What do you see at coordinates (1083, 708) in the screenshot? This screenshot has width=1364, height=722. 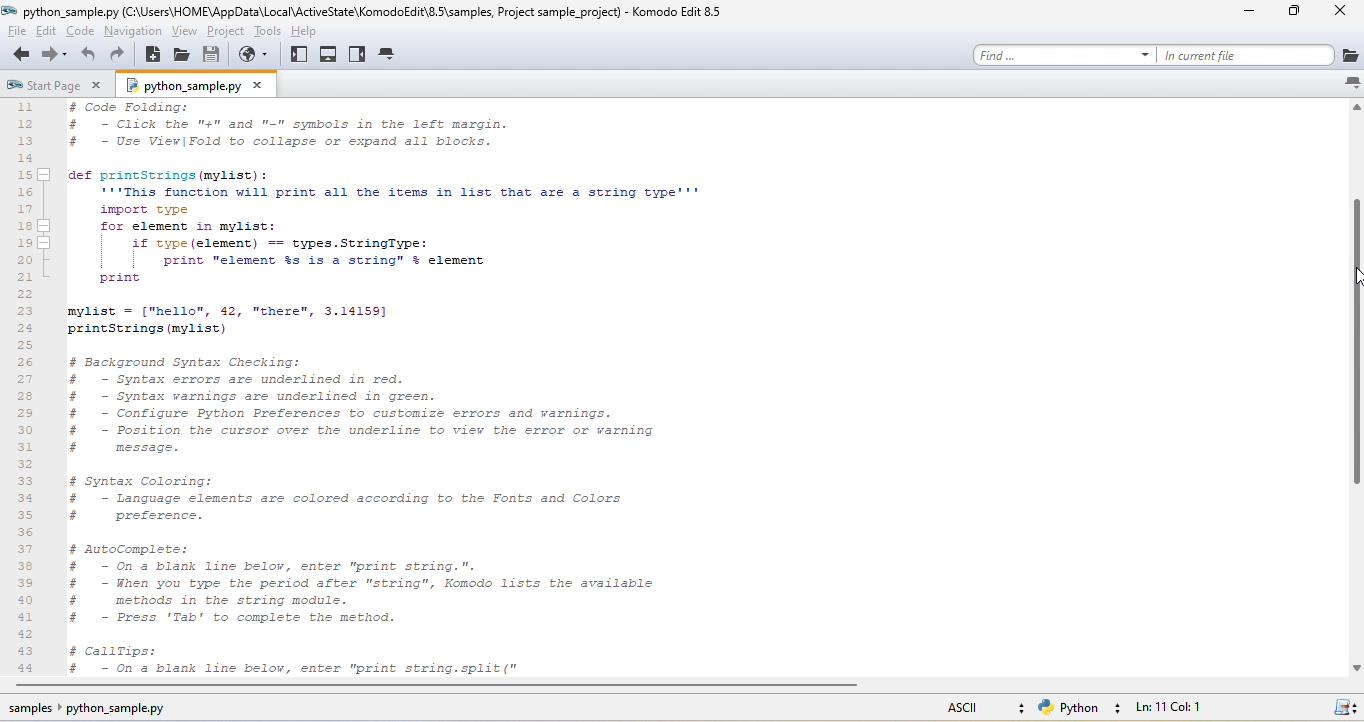 I see `python` at bounding box center [1083, 708].